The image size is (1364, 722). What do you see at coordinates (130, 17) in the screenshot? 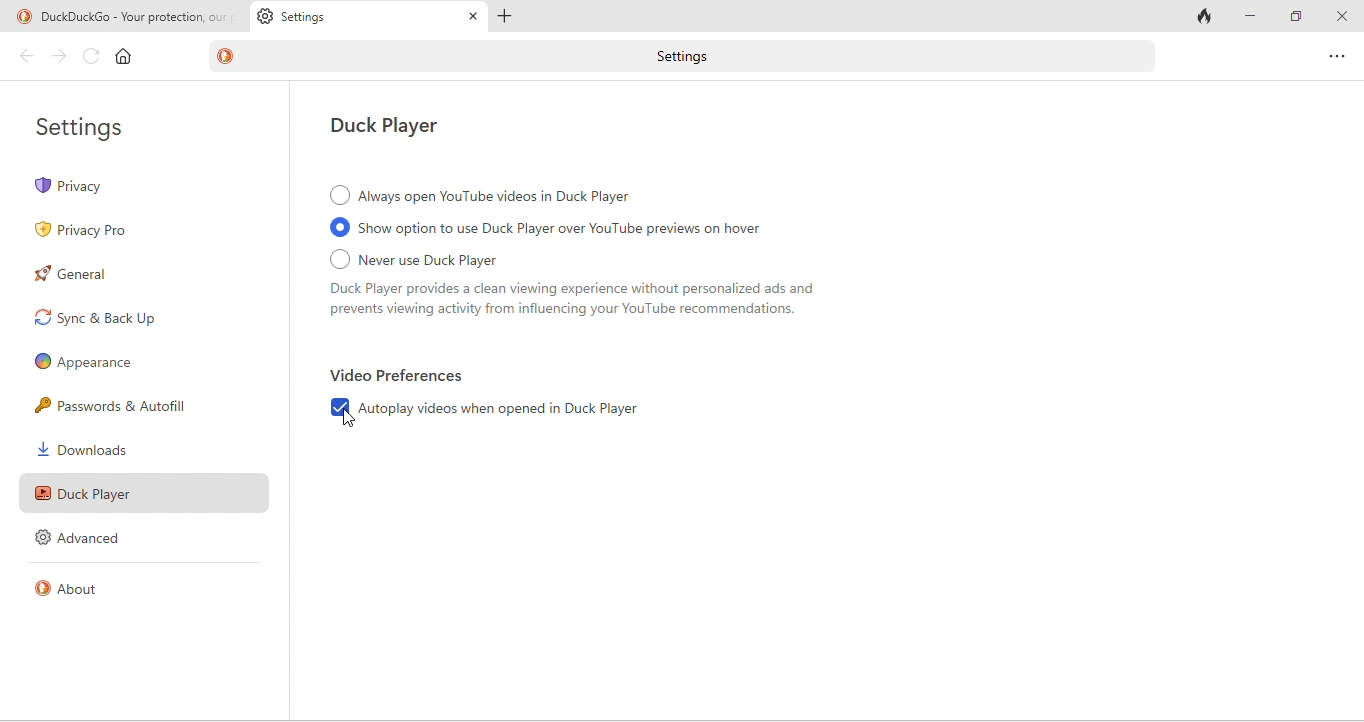
I see `DuckDuckGo - Your protection` at bounding box center [130, 17].